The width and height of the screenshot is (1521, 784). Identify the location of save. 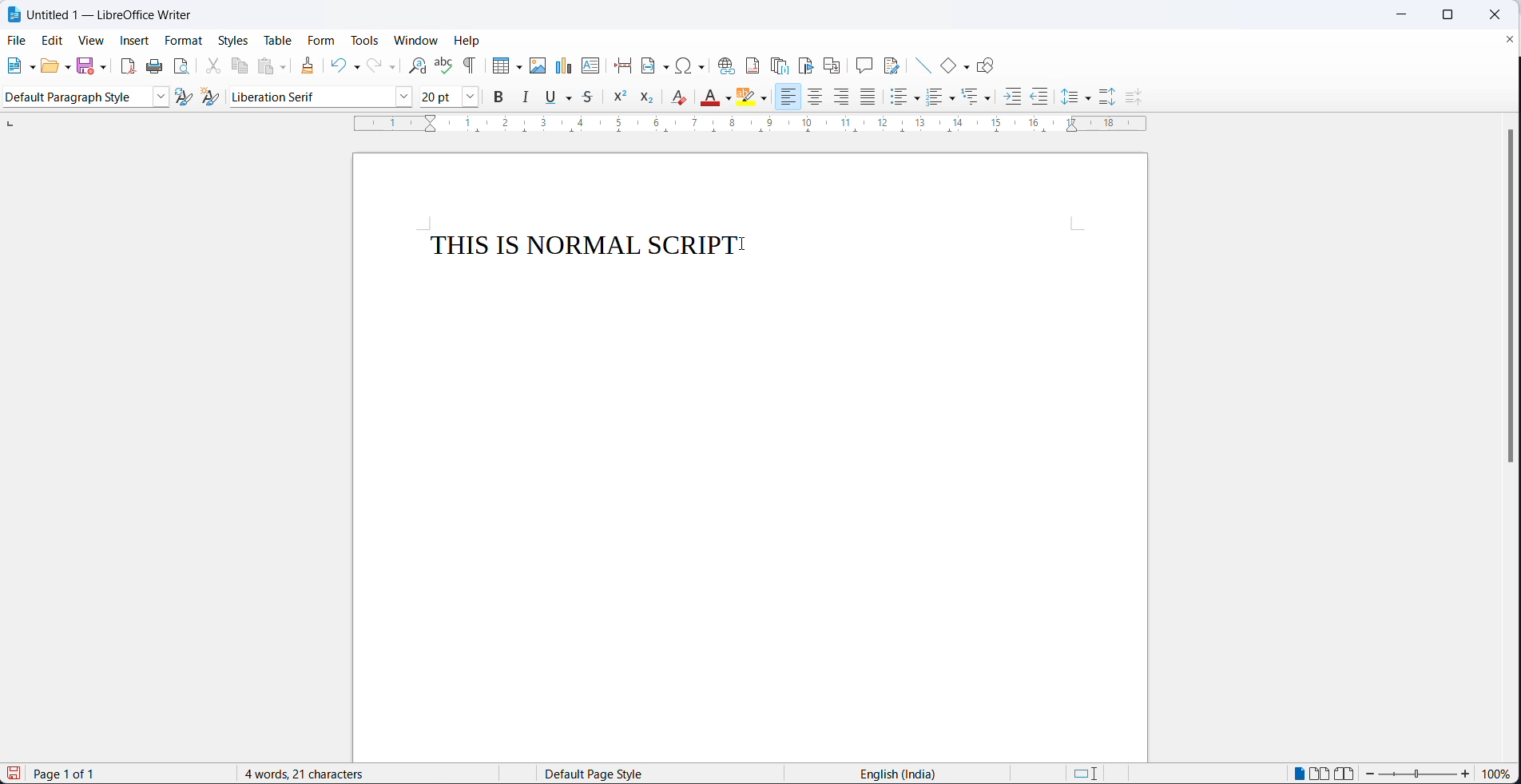
(86, 65).